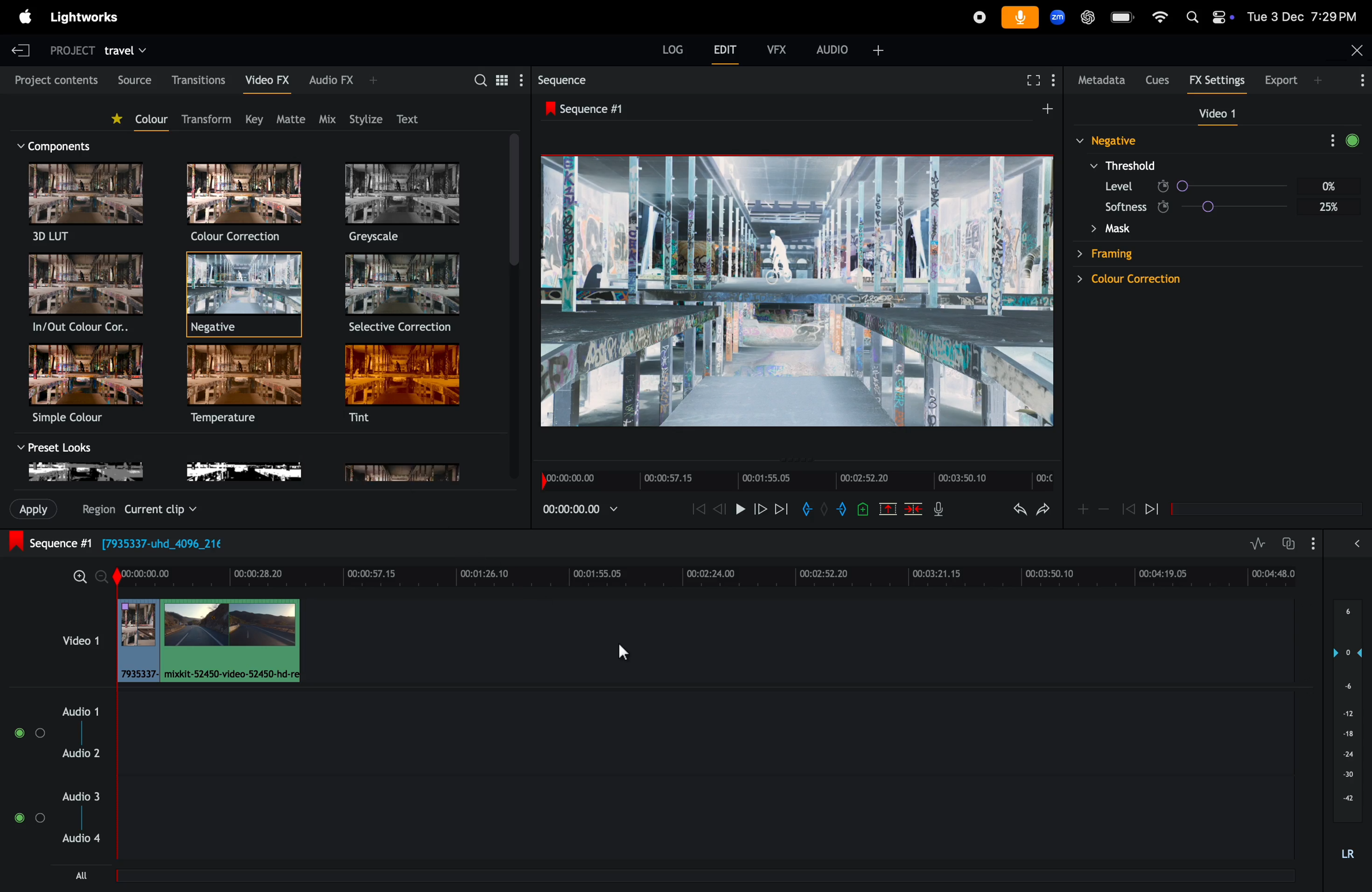 The width and height of the screenshot is (1372, 892). What do you see at coordinates (1133, 281) in the screenshot?
I see `` at bounding box center [1133, 281].